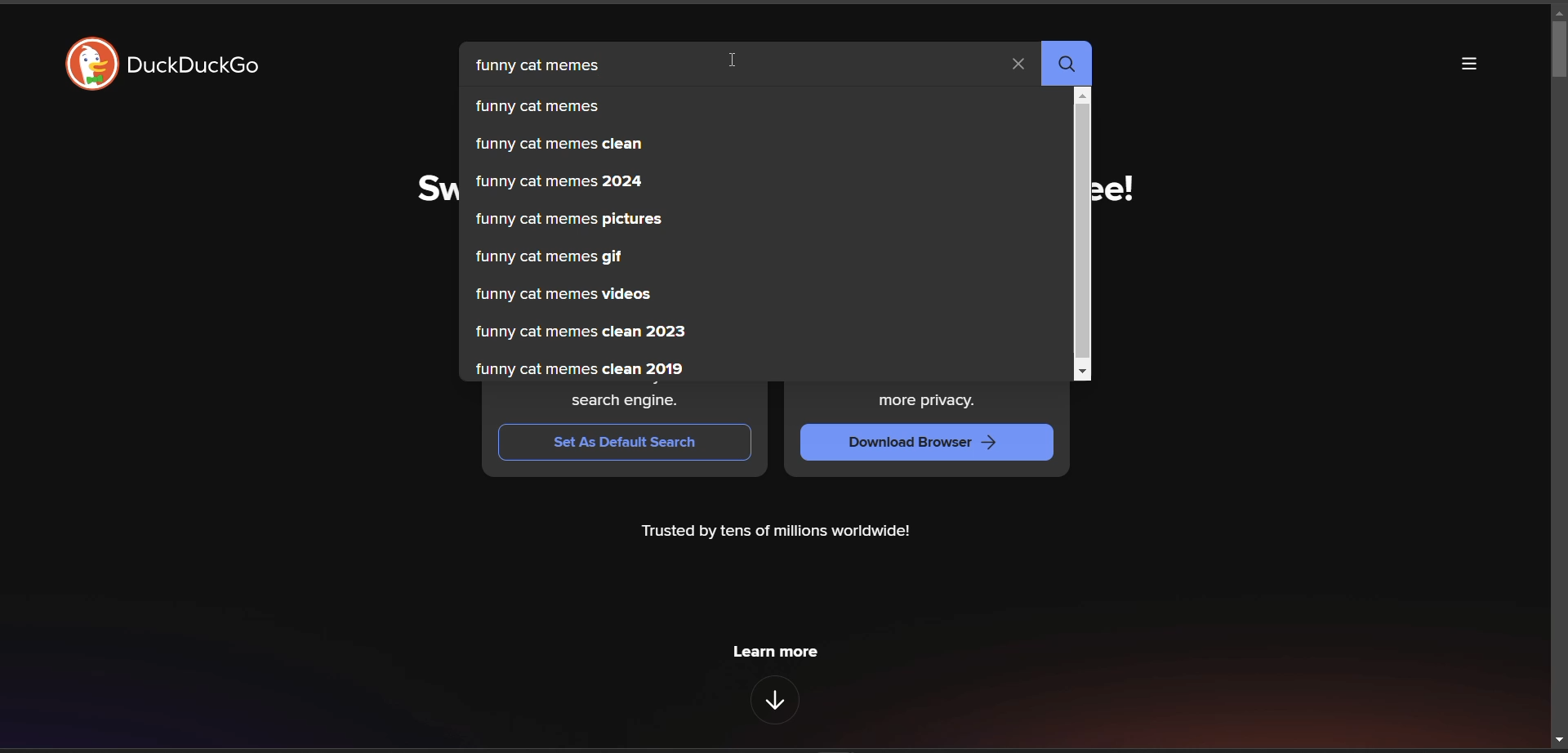  Describe the element at coordinates (570, 221) in the screenshot. I see `funny cat memes pictures` at that location.